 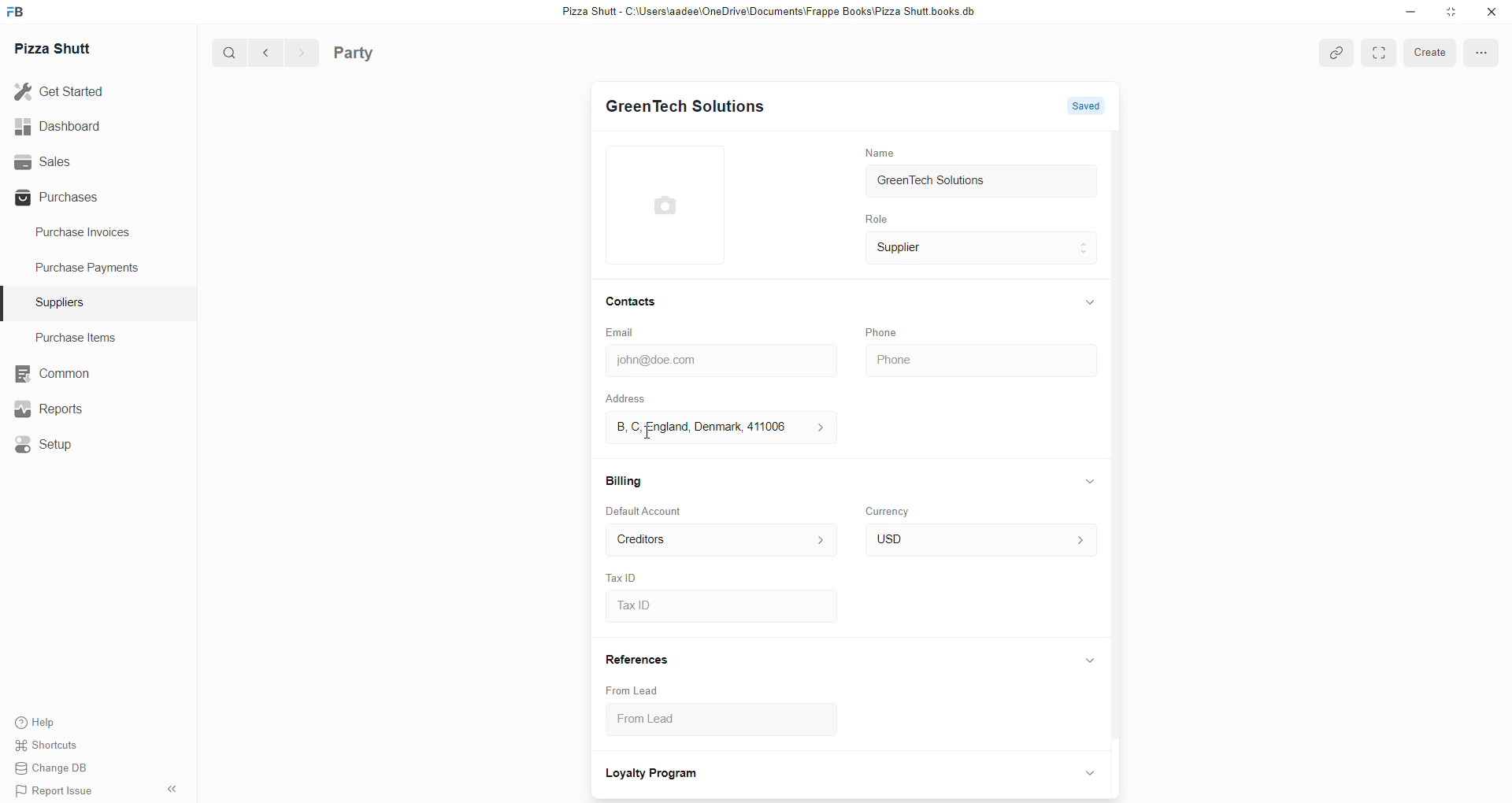 I want to click on Contacts, so click(x=632, y=303).